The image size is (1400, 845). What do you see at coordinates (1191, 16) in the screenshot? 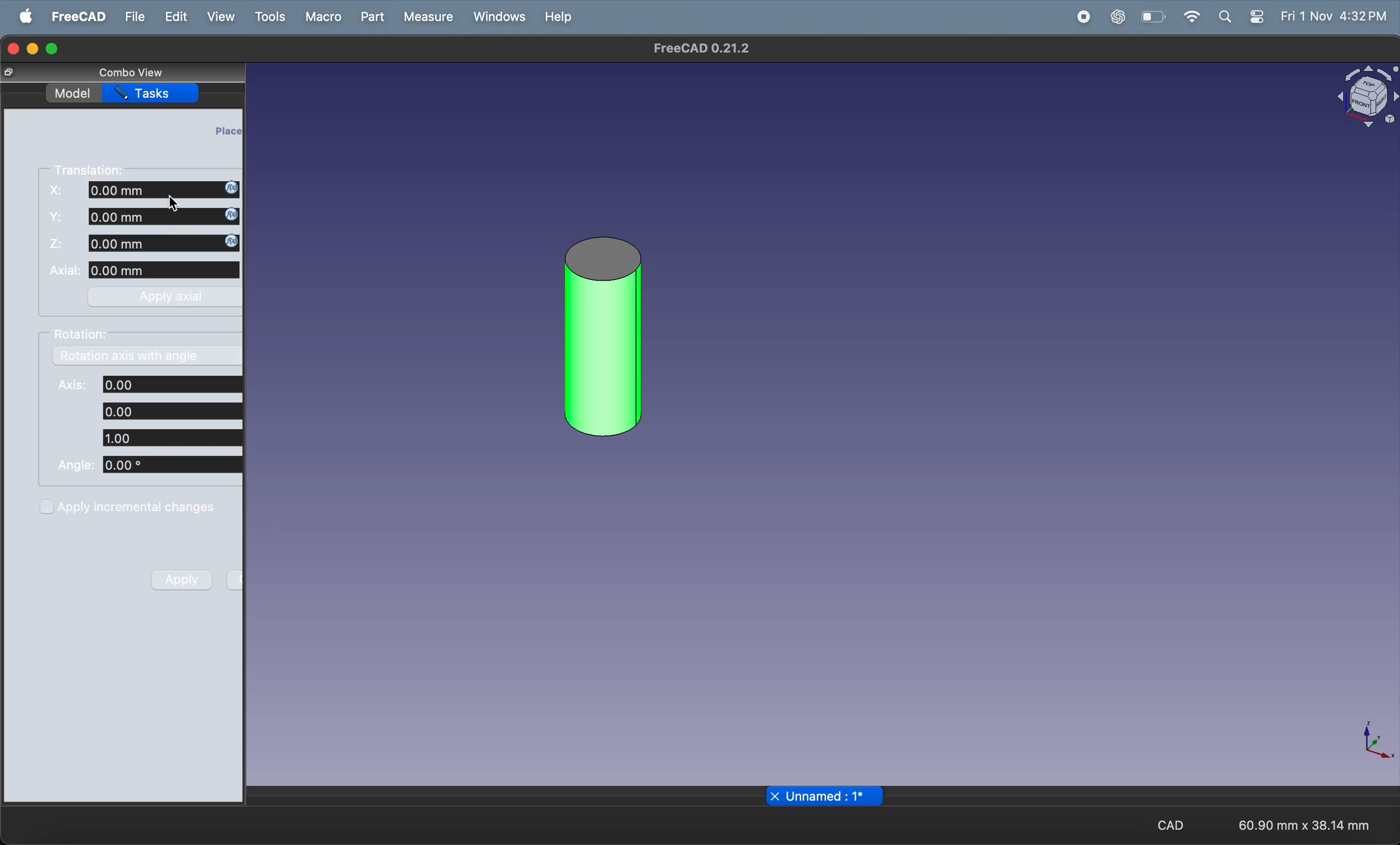
I see `wifi` at bounding box center [1191, 16].